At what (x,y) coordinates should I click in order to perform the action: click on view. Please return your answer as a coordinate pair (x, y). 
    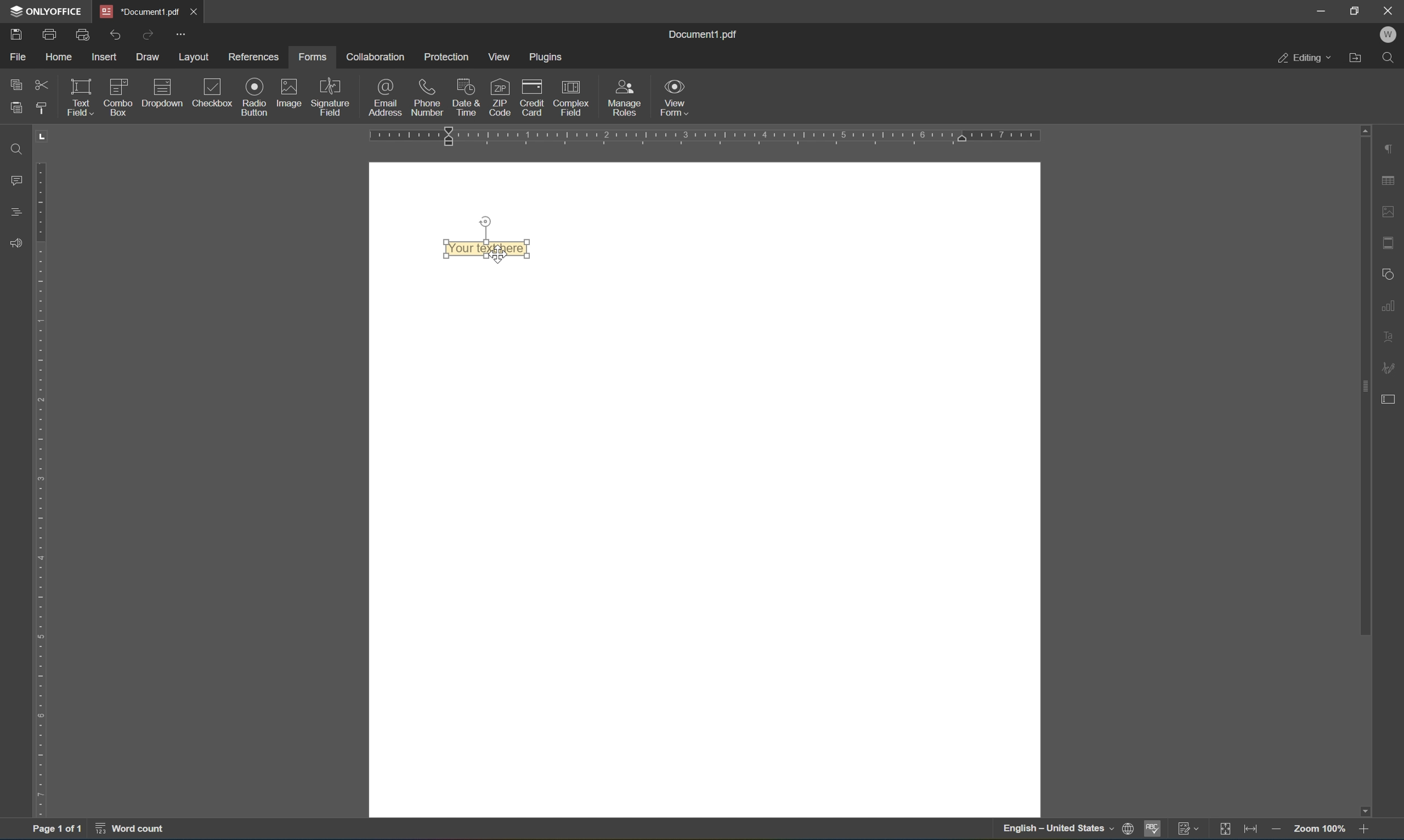
    Looking at the image, I should click on (499, 55).